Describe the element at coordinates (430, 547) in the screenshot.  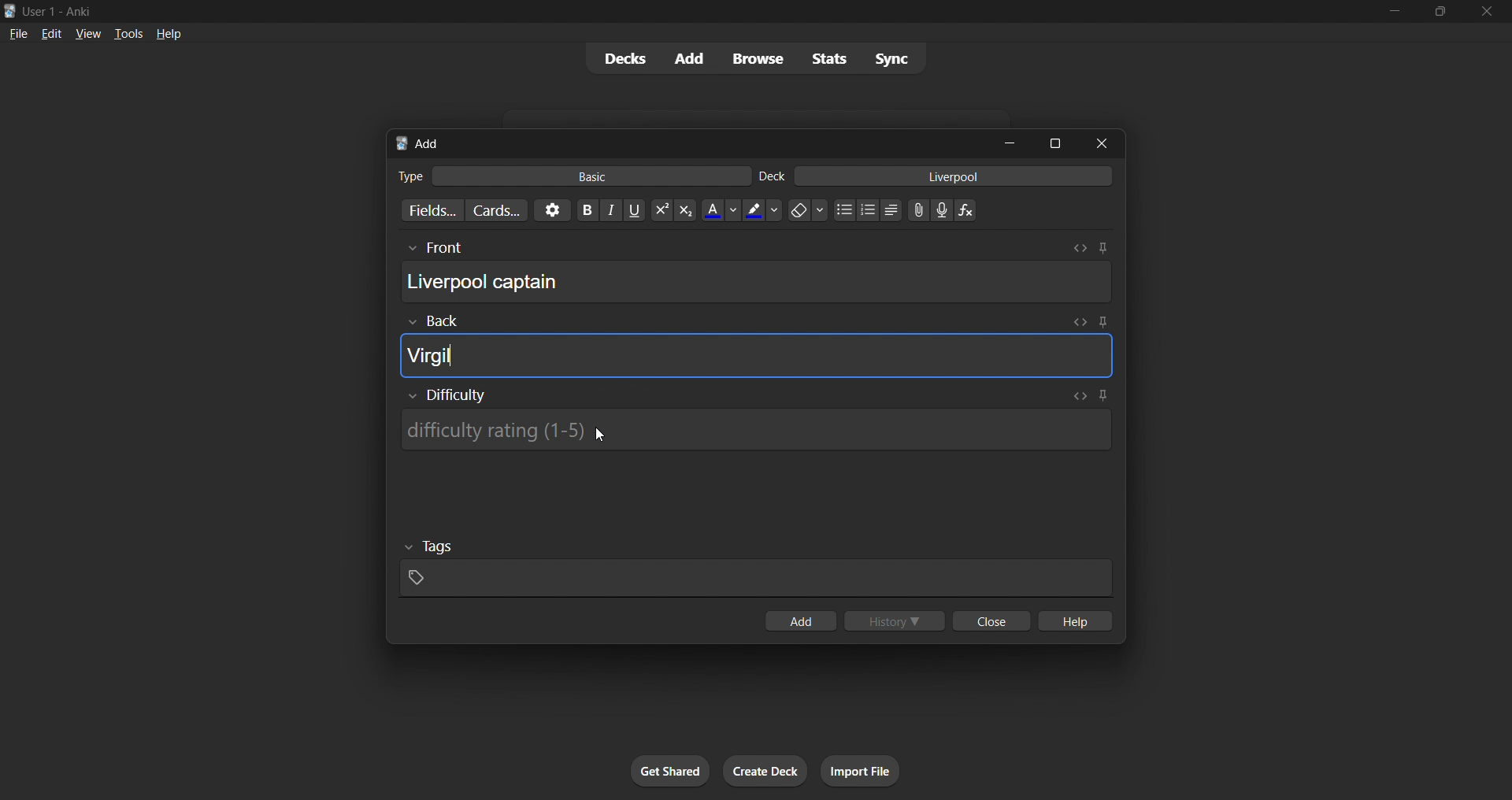
I see `` at that location.